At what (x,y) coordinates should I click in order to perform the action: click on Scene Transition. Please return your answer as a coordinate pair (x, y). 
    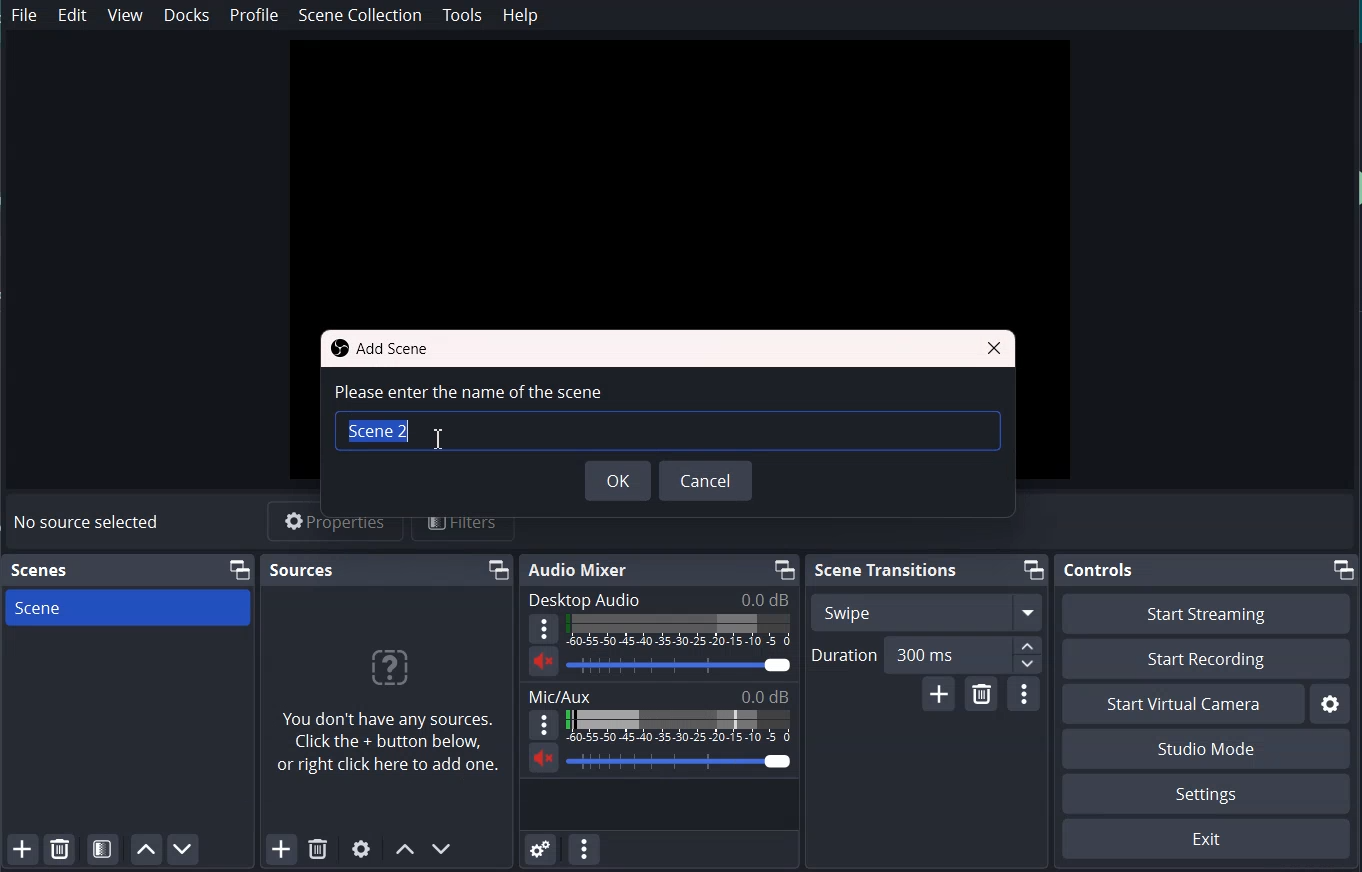
    Looking at the image, I should click on (887, 571).